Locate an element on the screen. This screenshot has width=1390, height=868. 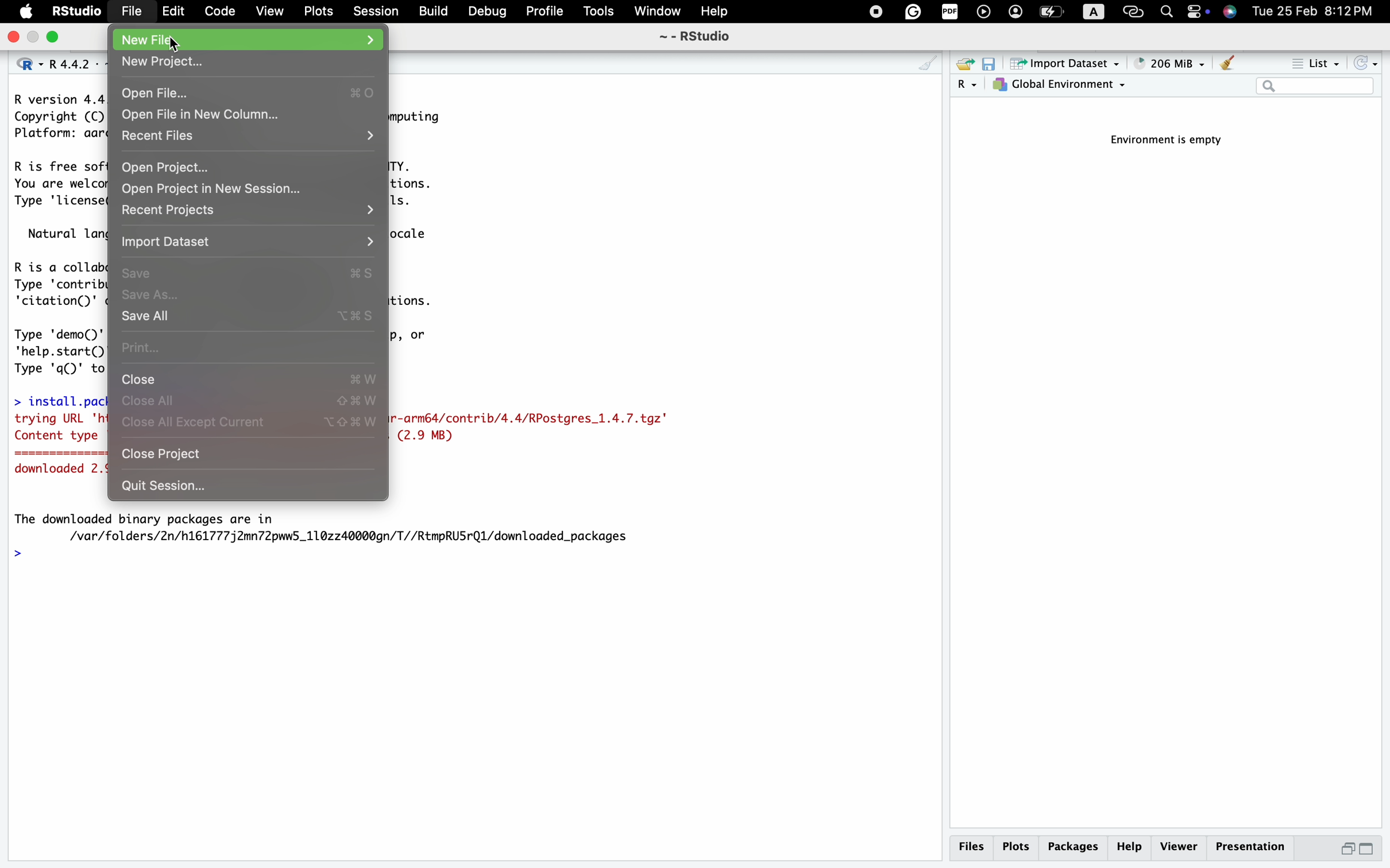
pdf is located at coordinates (947, 13).